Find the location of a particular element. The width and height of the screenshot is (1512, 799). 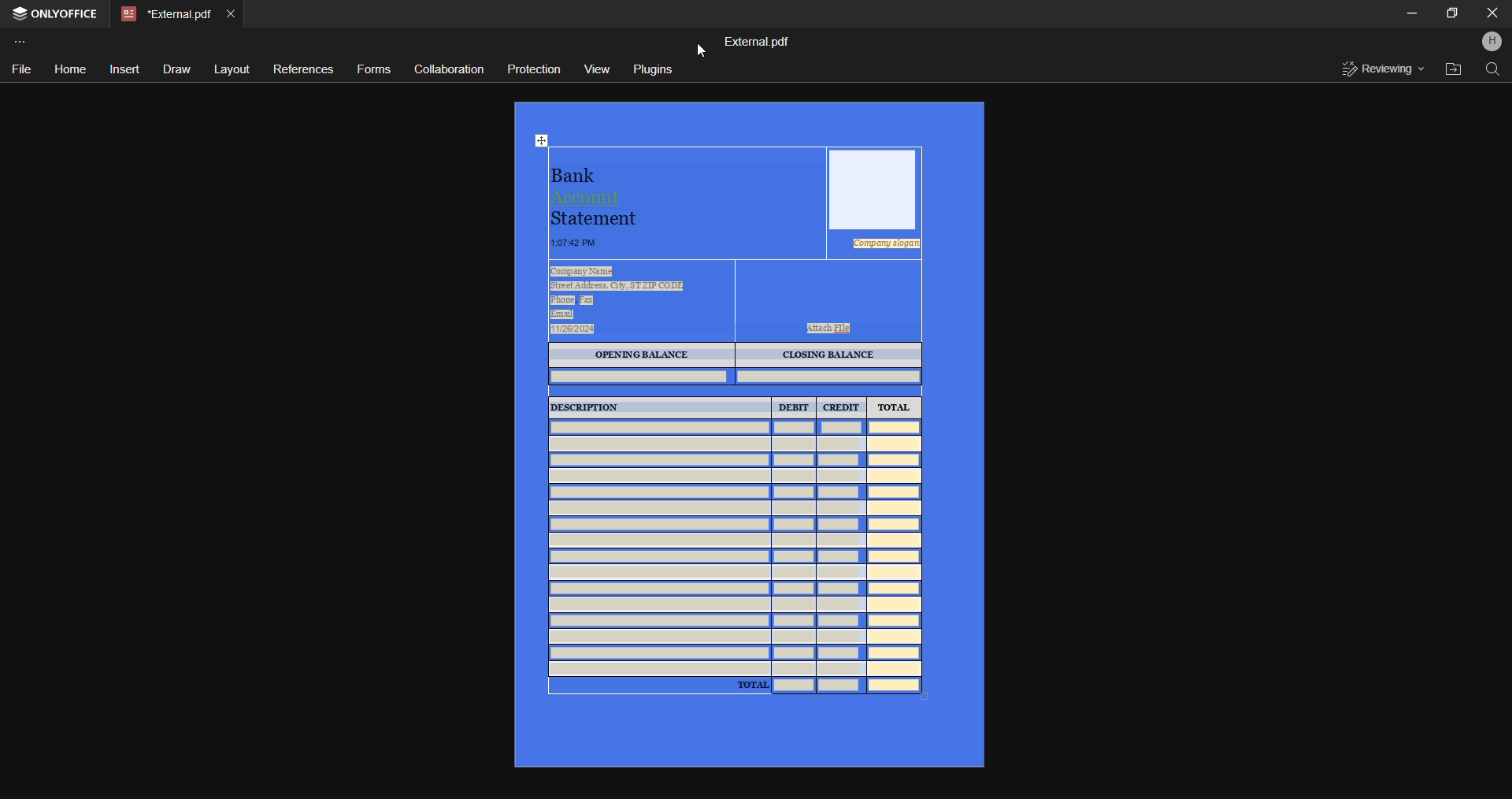

This is a 30 day eviction notice informing tenants that they must either pay overdue rent, correct a lease violation, or vacate the premises due to illegal activity. Failure to comply will result in legal actions. is located at coordinates (747, 433).